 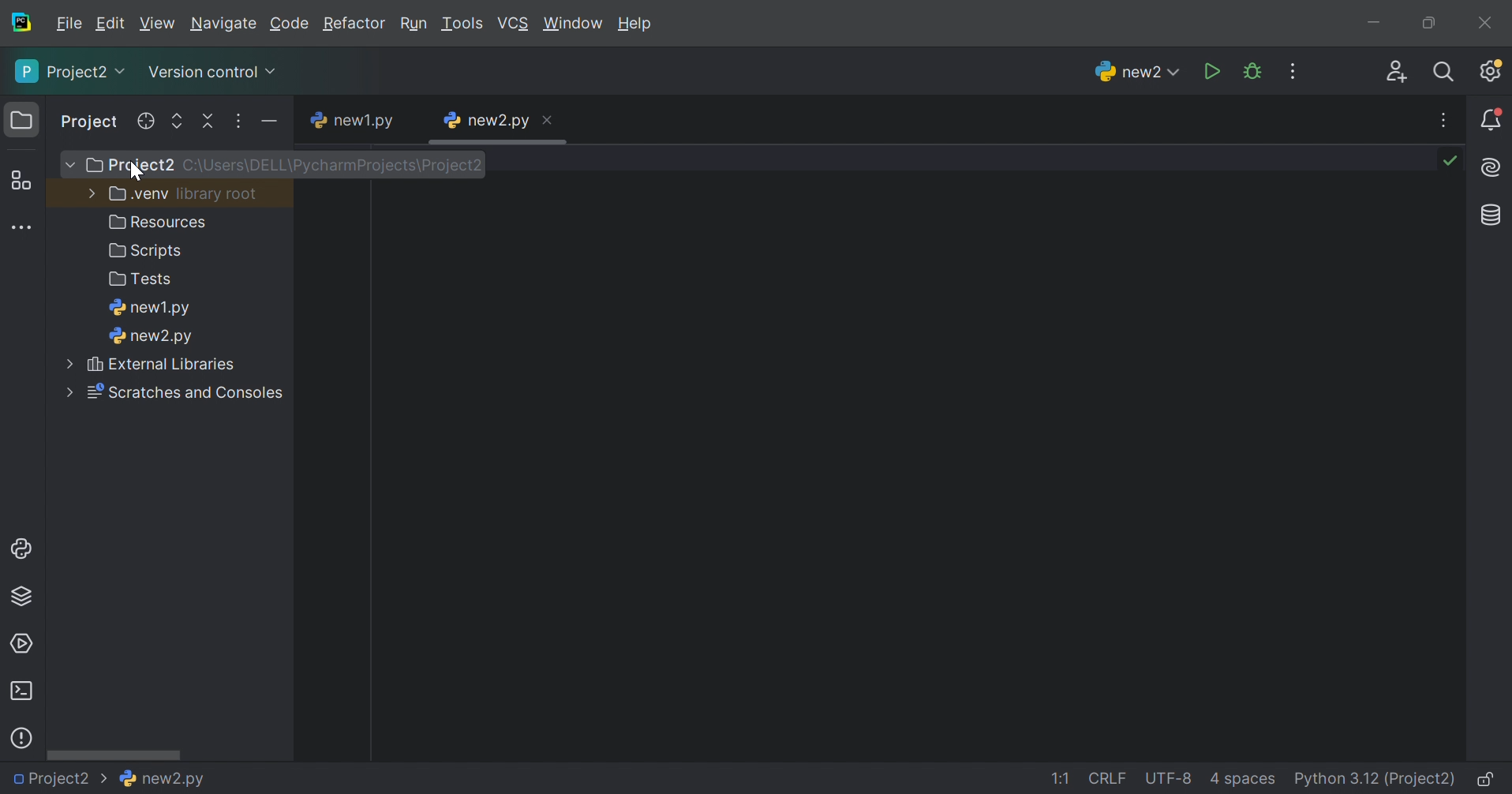 I want to click on Edit, so click(x=110, y=24).